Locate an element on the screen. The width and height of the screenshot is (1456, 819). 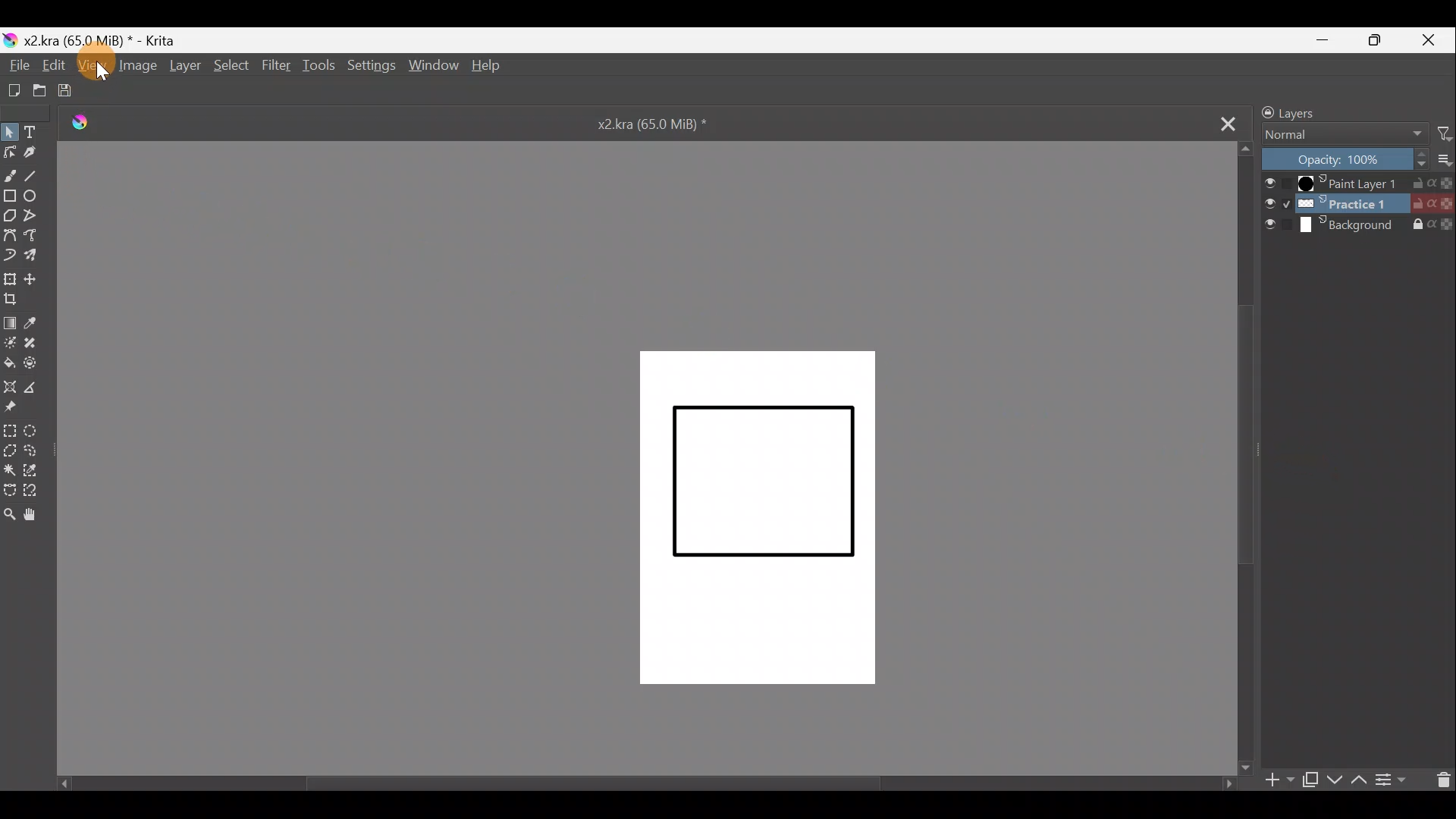
Edit is located at coordinates (51, 65).